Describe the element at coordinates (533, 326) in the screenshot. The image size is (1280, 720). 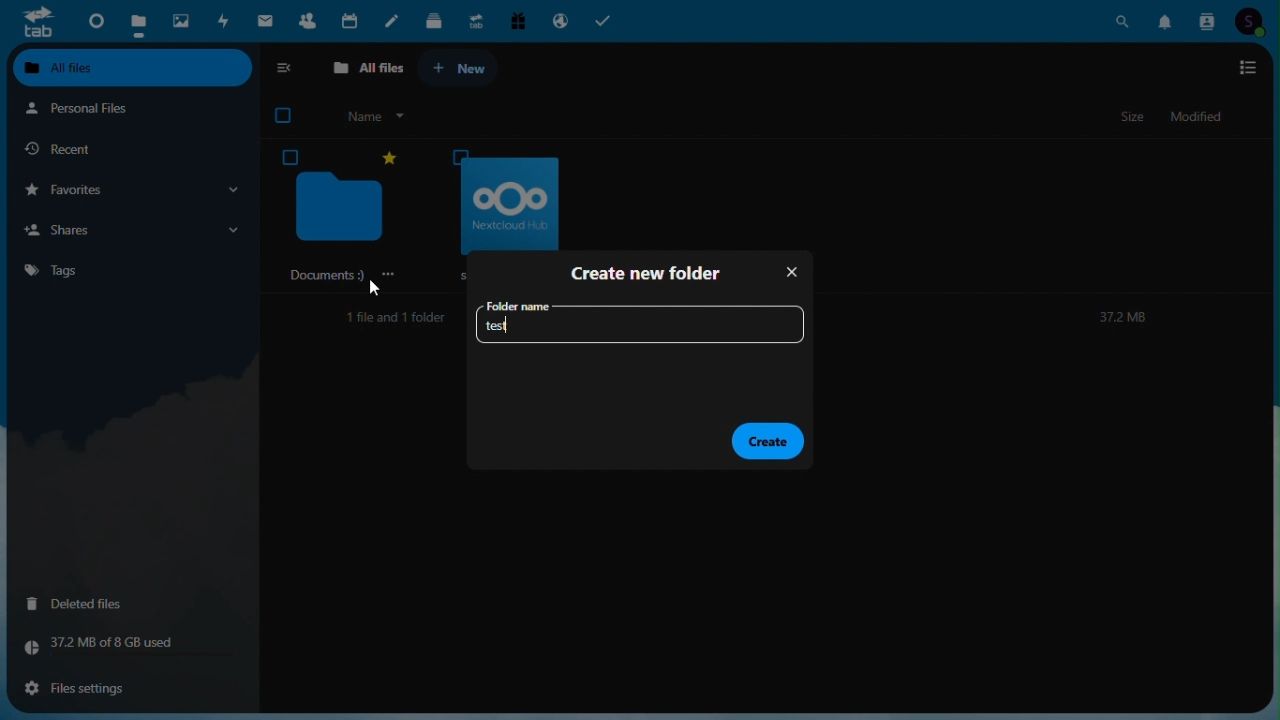
I see `Folder name` at that location.